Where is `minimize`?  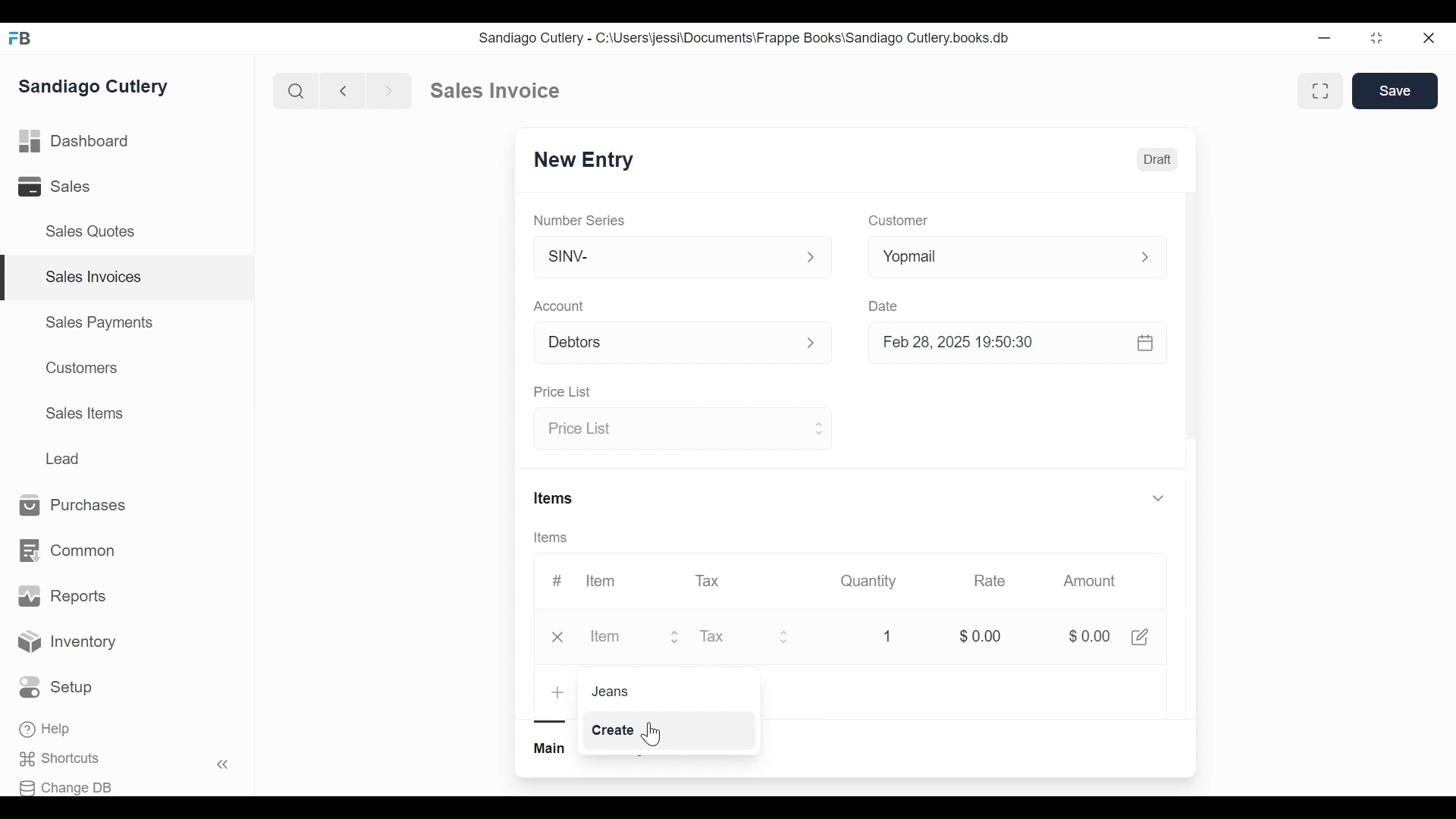
minimize is located at coordinates (1324, 37).